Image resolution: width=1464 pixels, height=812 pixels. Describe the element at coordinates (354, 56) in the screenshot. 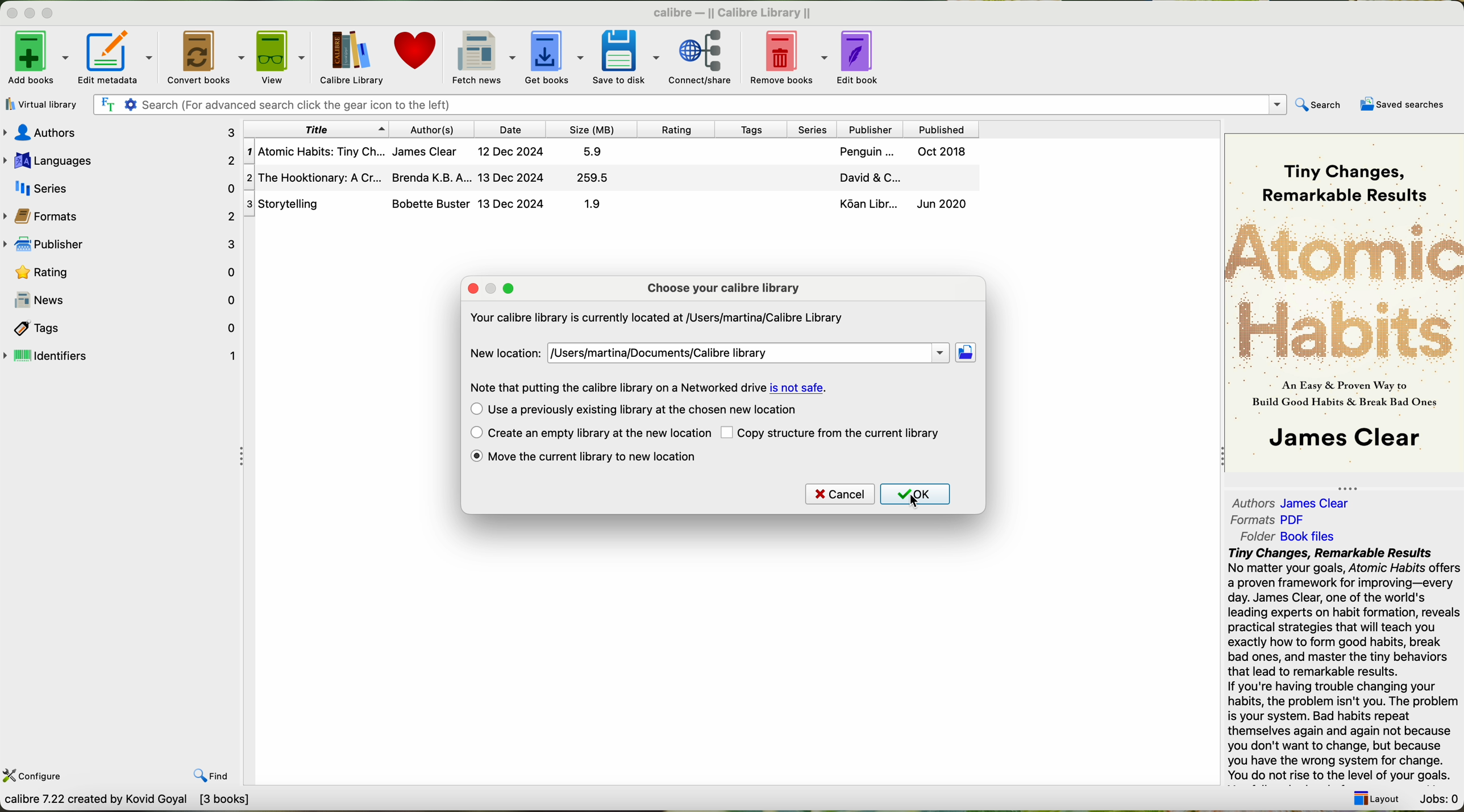

I see `Caliber Library` at that location.